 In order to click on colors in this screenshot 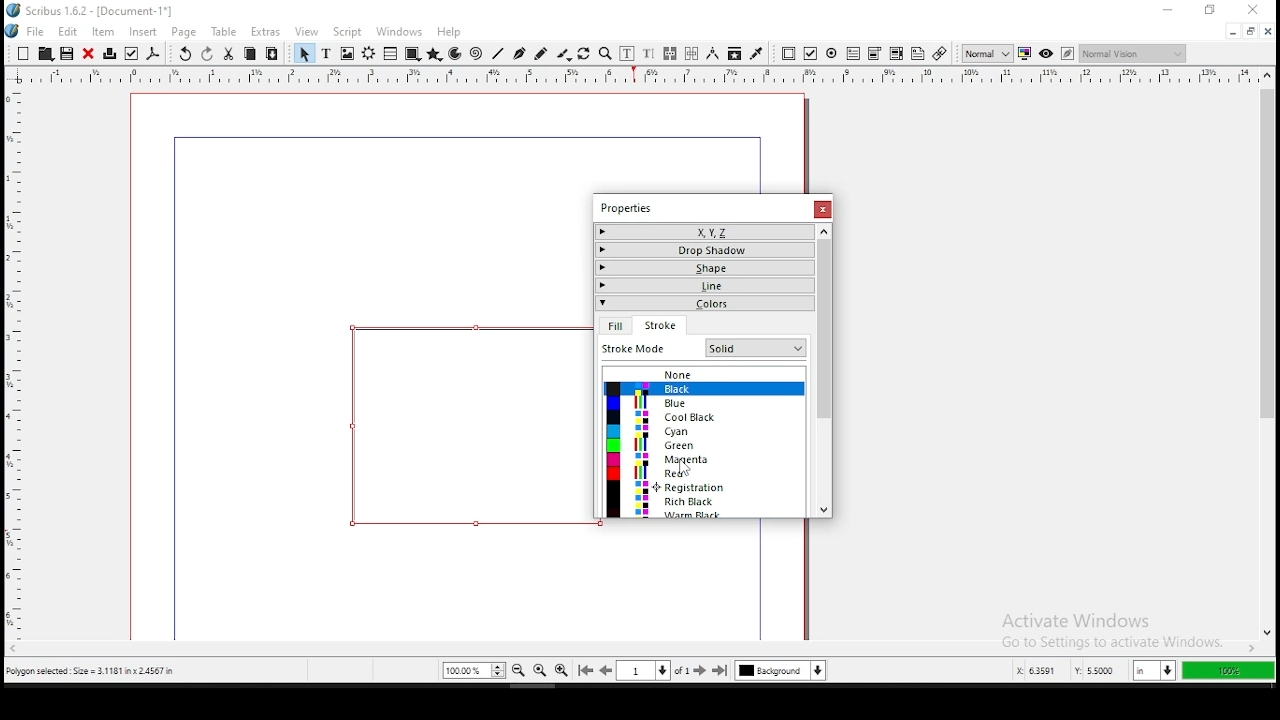, I will do `click(703, 303)`.